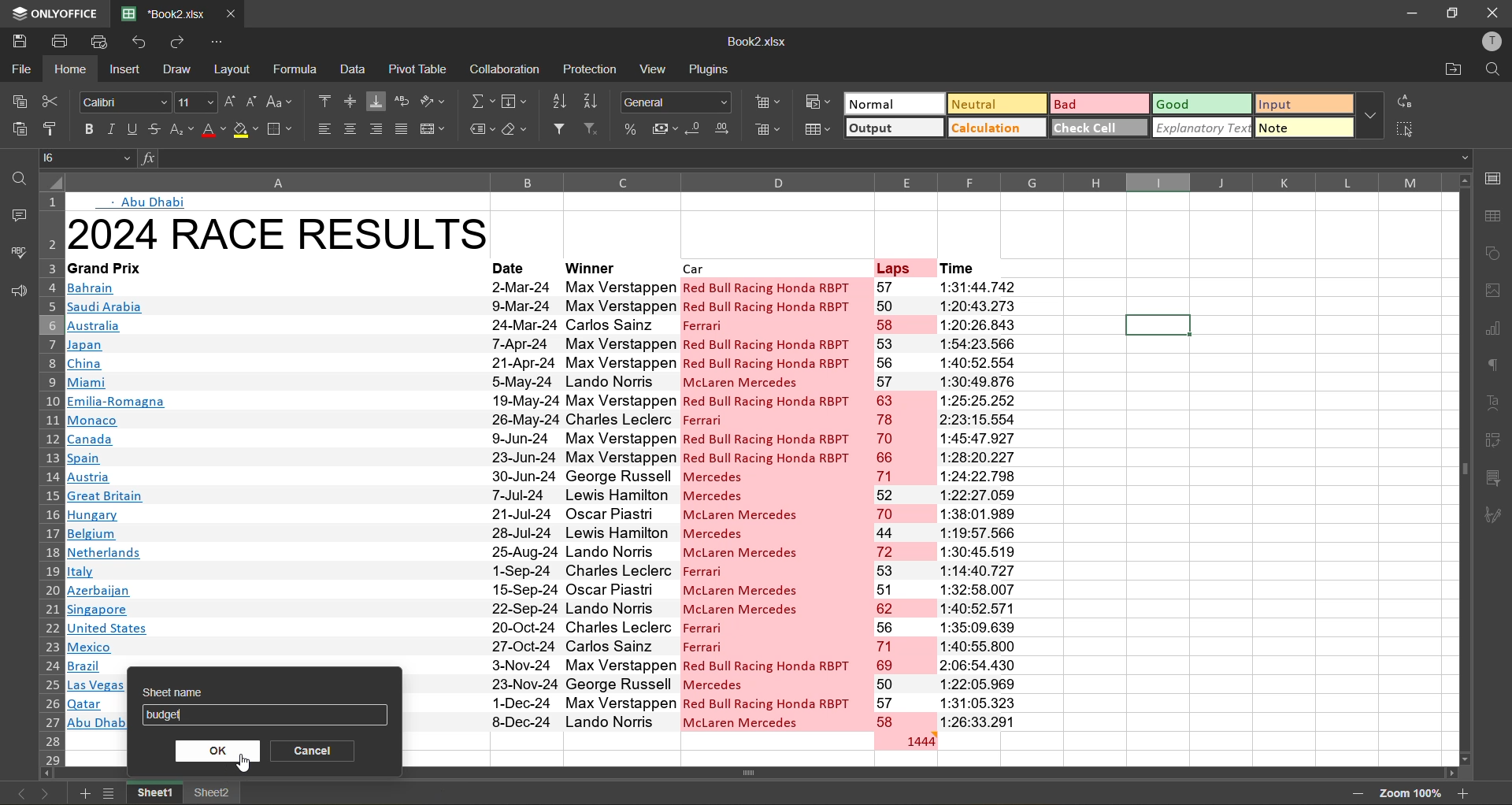  Describe the element at coordinates (695, 130) in the screenshot. I see `decrease decimal` at that location.